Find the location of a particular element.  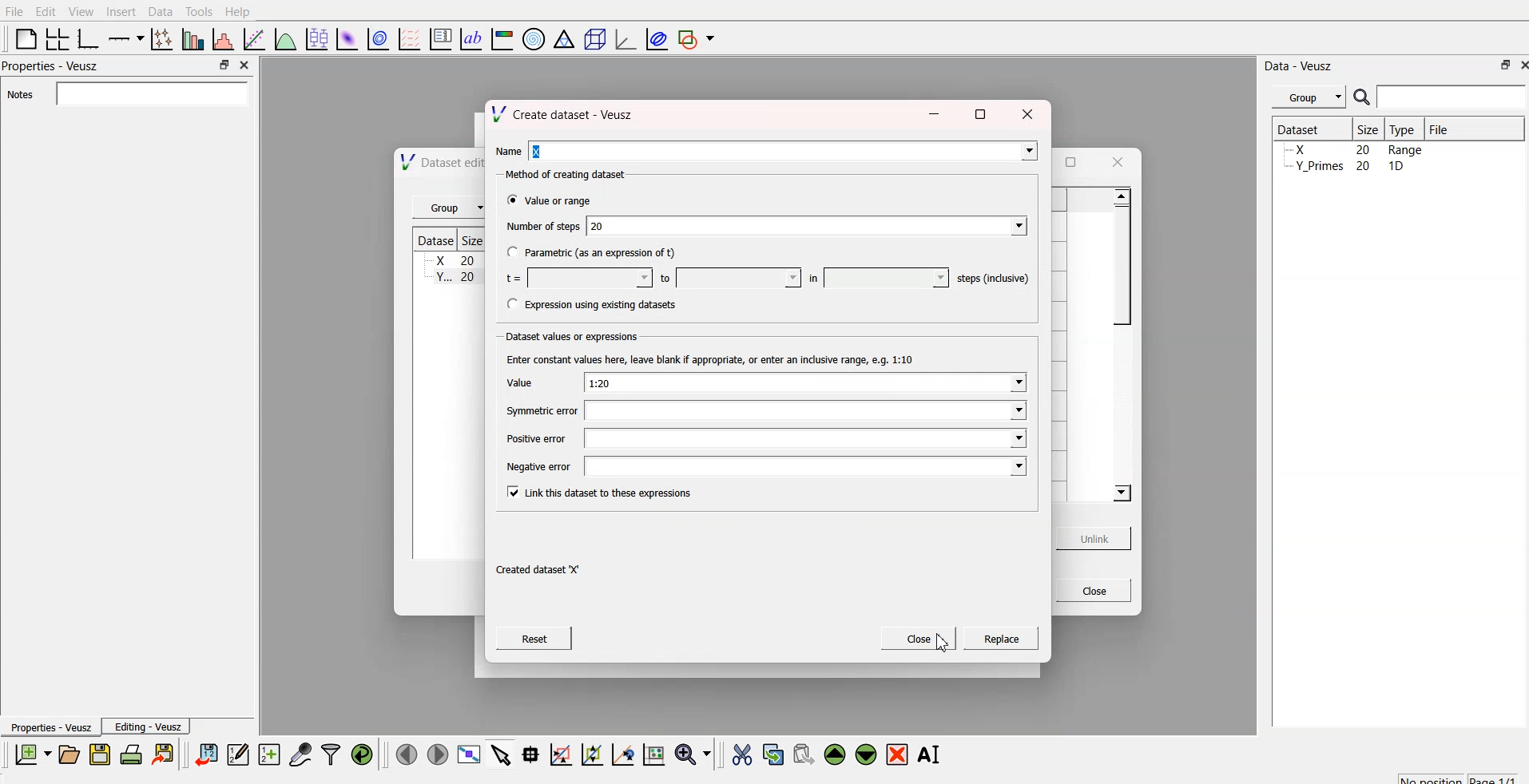

Reset | is located at coordinates (542, 638).